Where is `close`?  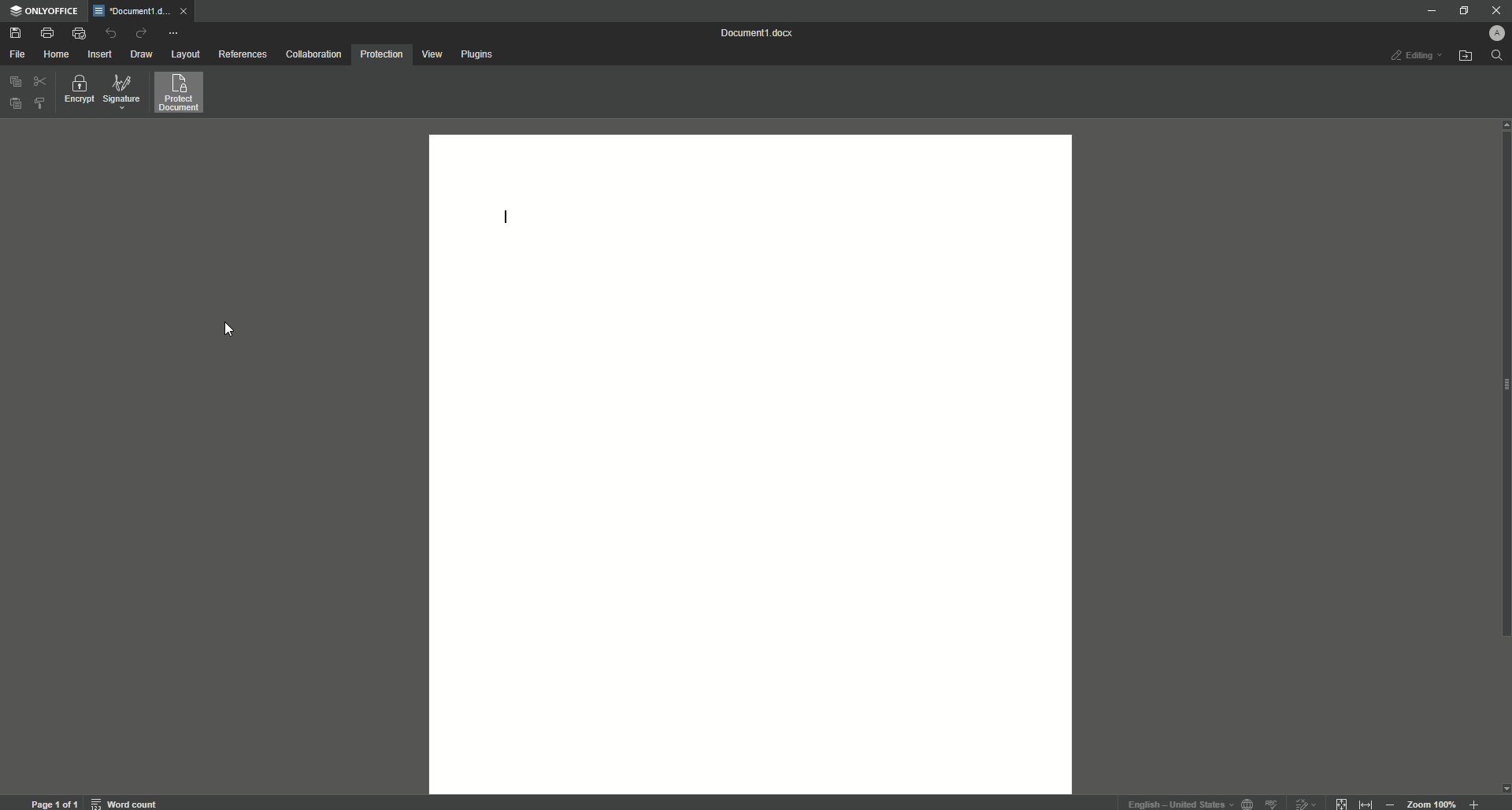 close is located at coordinates (182, 10).